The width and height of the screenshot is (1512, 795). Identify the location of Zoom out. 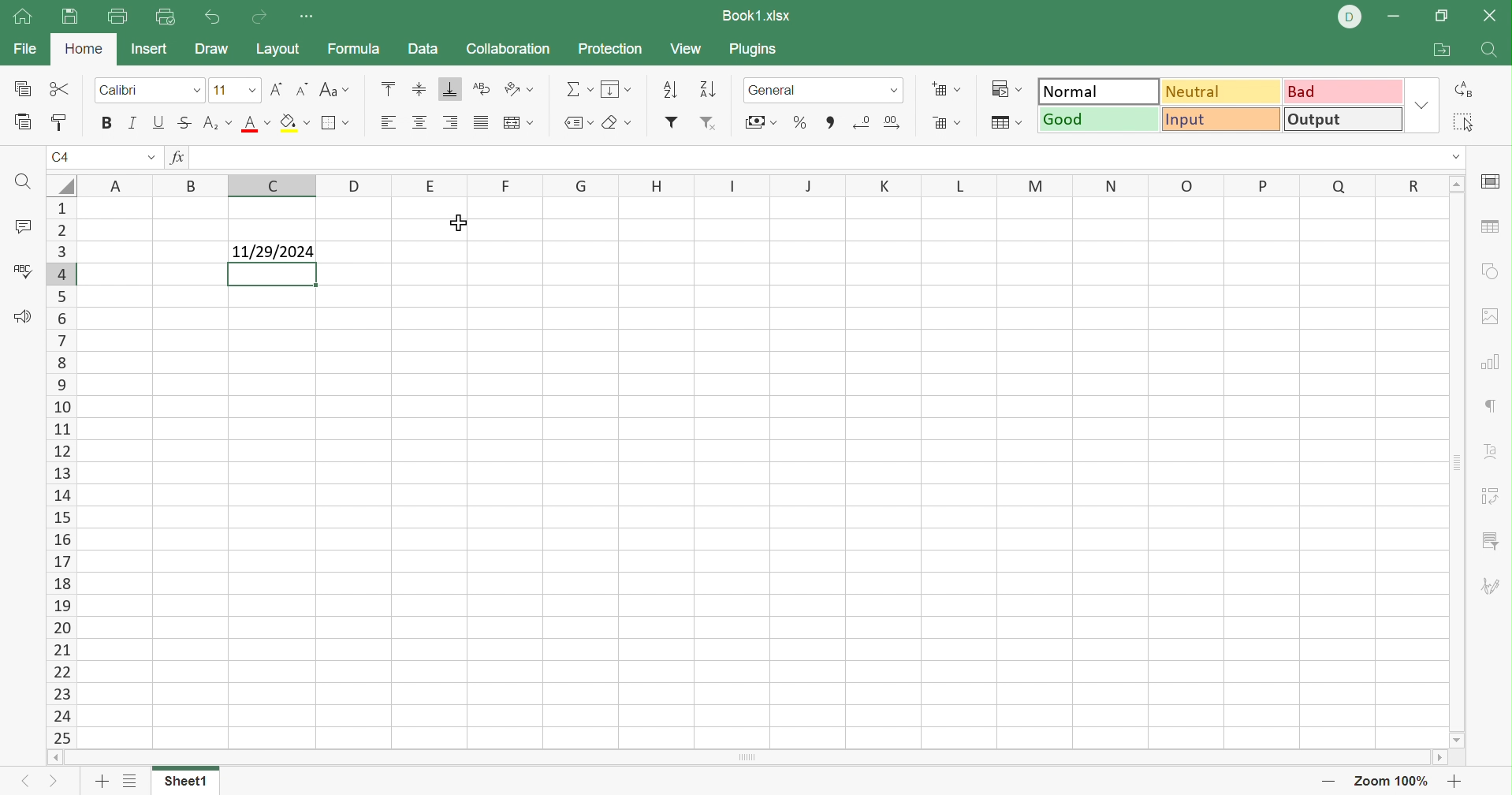
(1325, 782).